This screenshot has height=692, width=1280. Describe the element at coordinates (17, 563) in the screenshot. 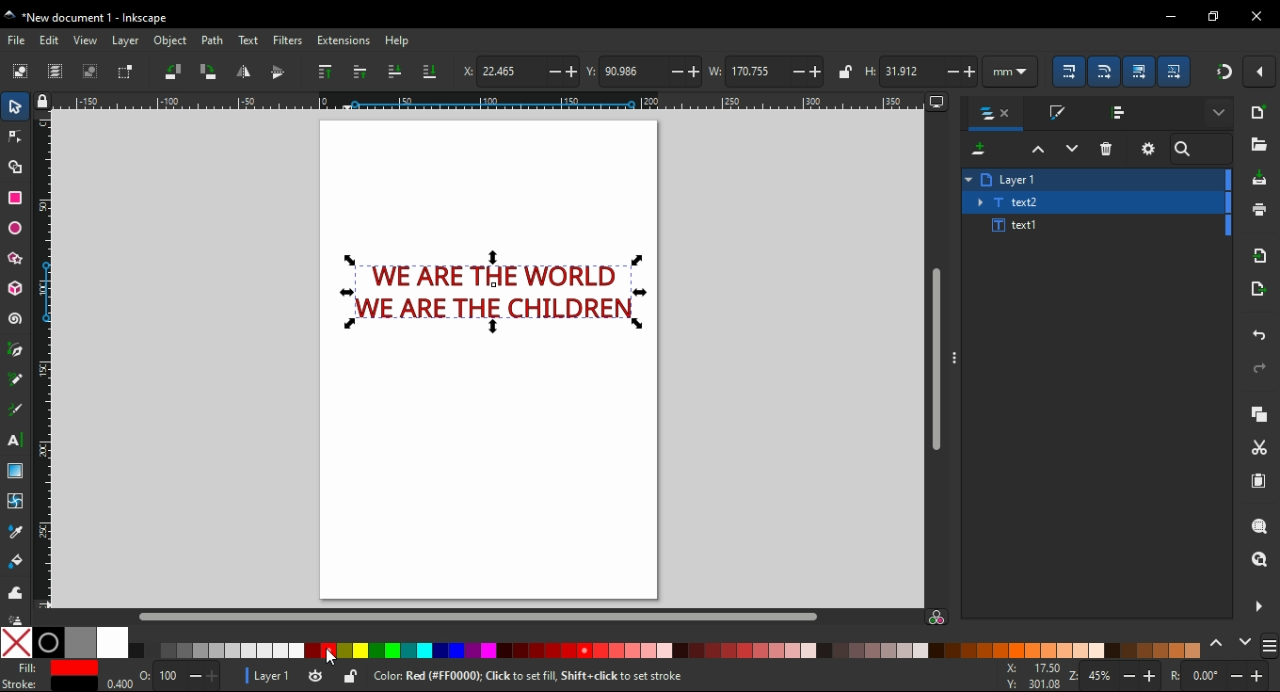

I see `paint bucket tool` at that location.